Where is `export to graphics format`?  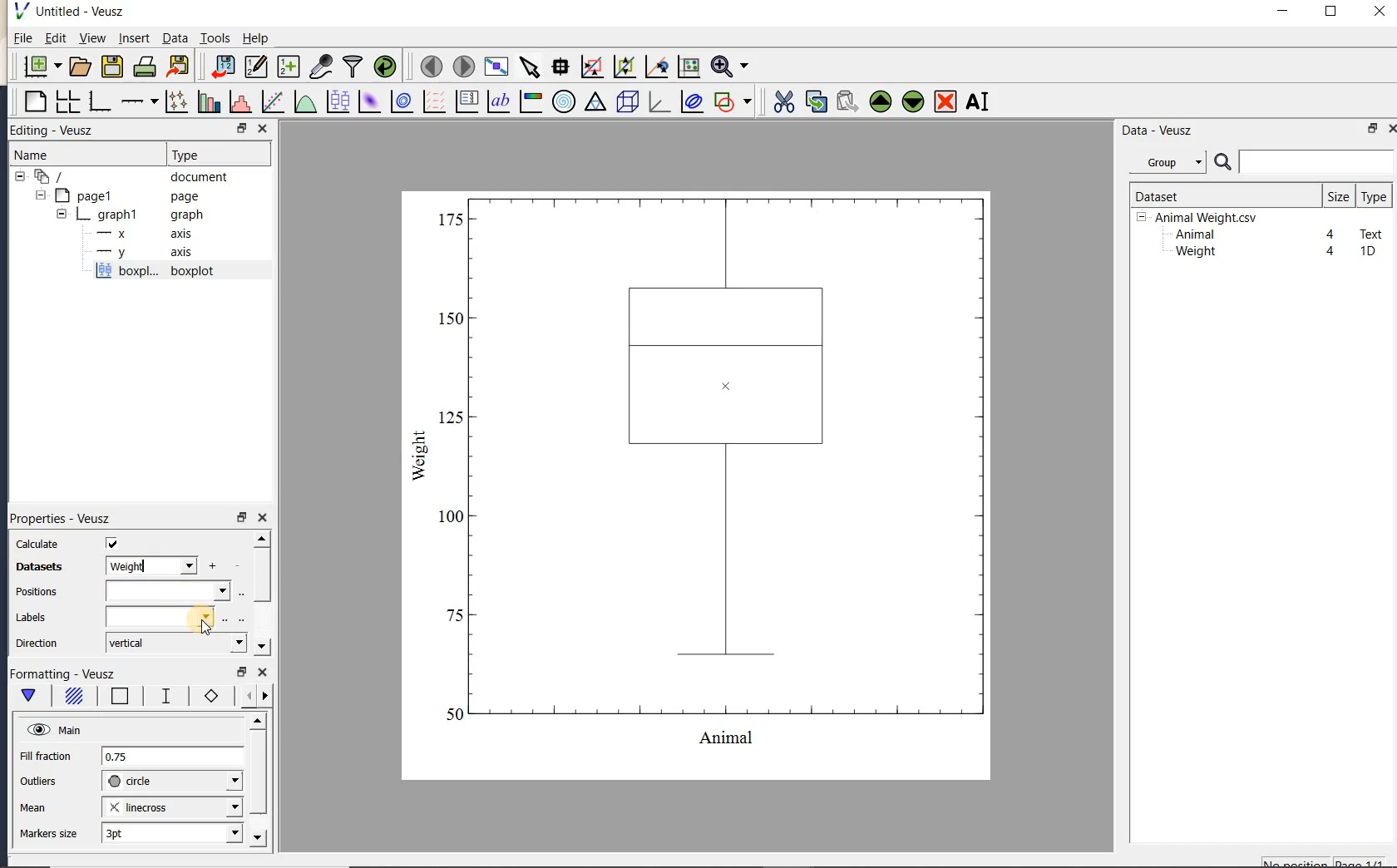
export to graphics format is located at coordinates (179, 65).